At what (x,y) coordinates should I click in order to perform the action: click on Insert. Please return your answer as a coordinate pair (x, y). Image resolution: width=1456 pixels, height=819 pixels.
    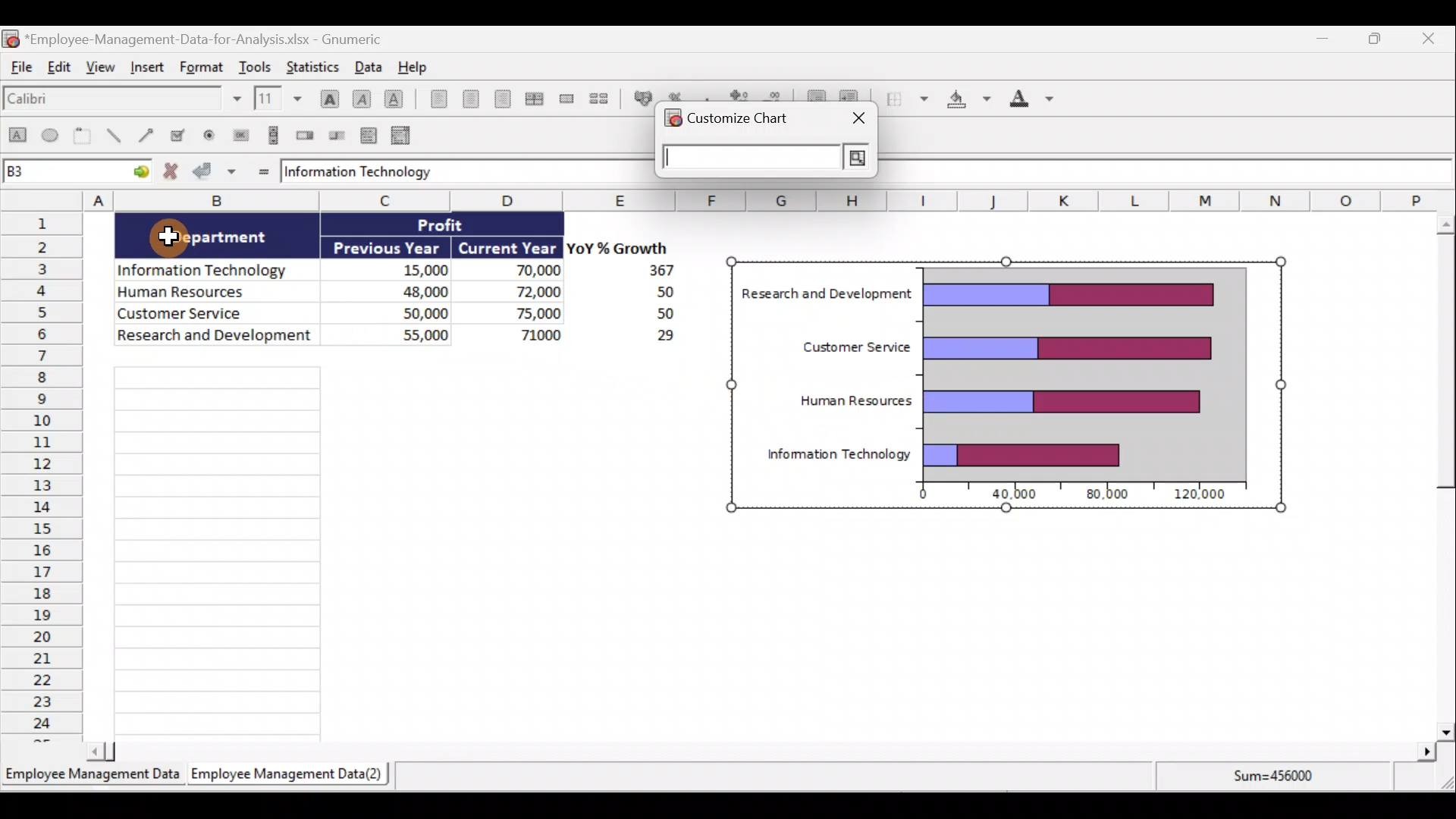
    Looking at the image, I should click on (150, 67).